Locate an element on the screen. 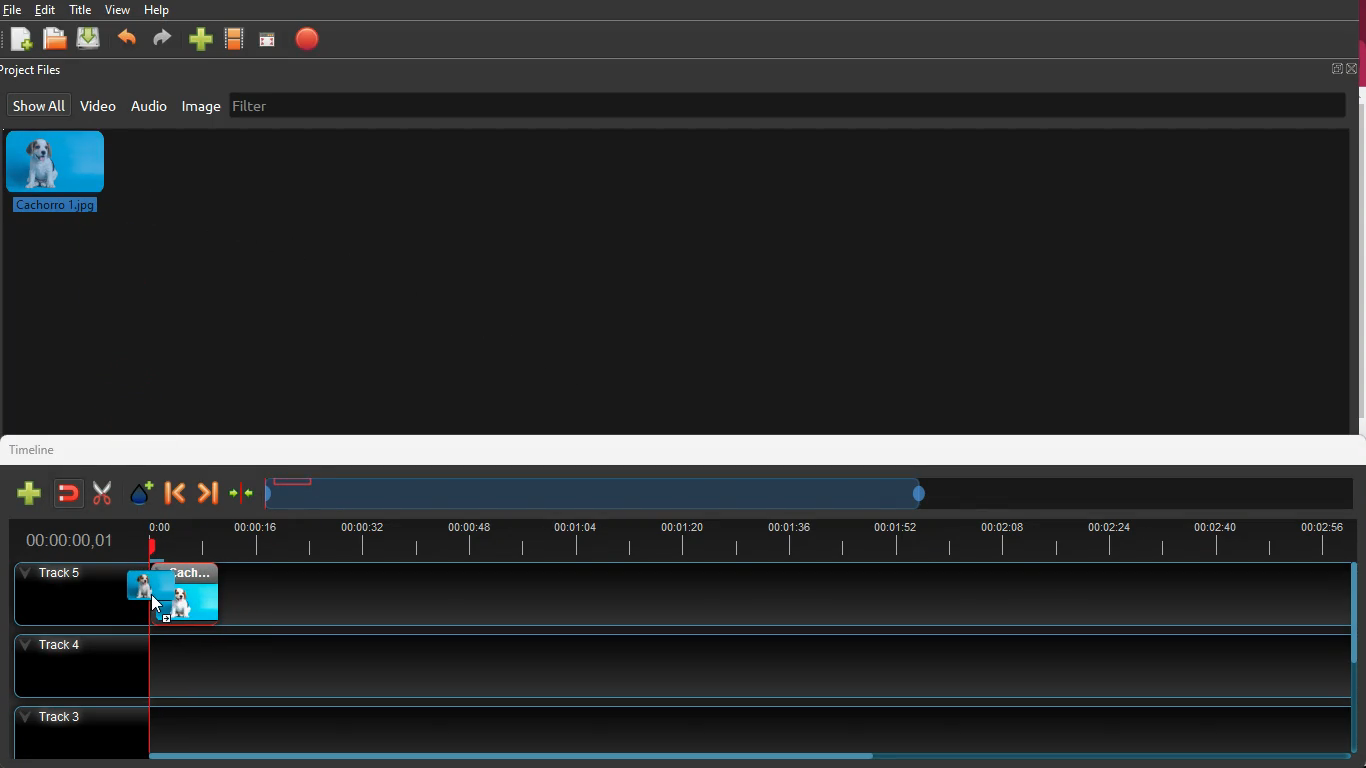 The width and height of the screenshot is (1366, 768). track is located at coordinates (674, 664).